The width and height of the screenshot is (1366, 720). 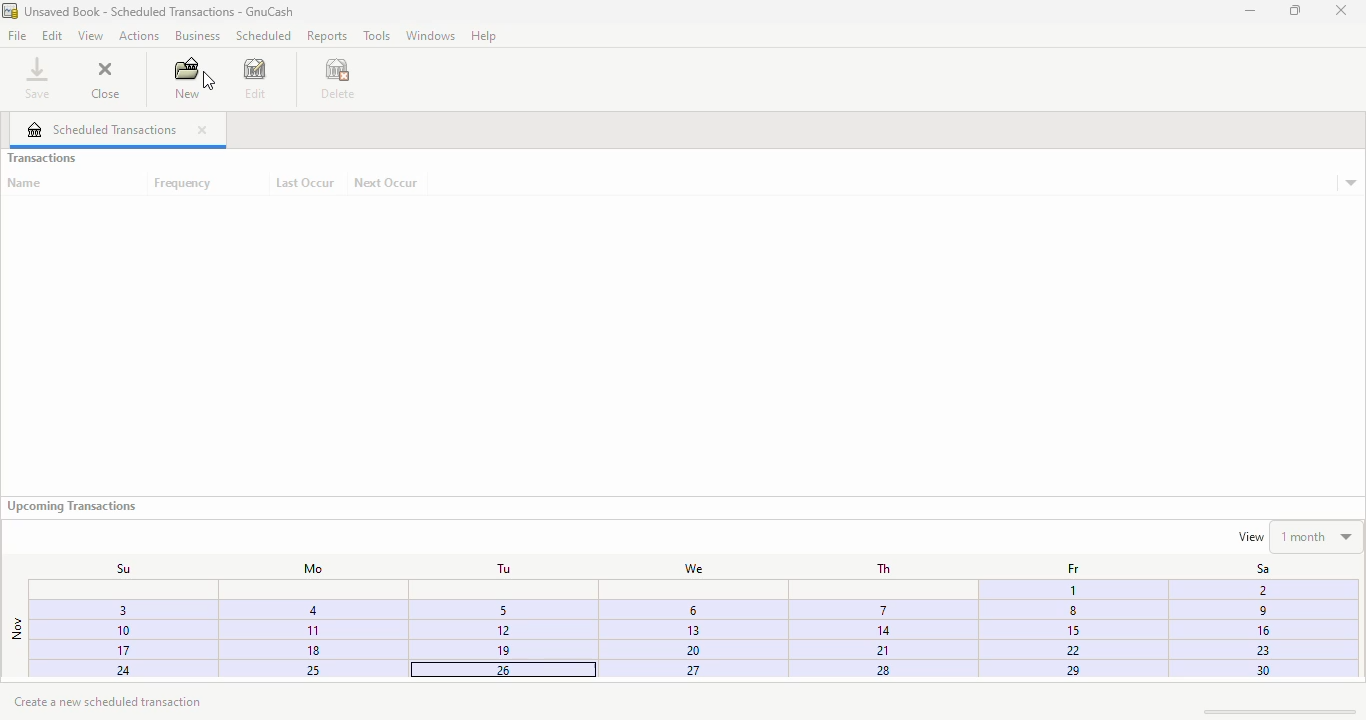 What do you see at coordinates (17, 35) in the screenshot?
I see `file` at bounding box center [17, 35].